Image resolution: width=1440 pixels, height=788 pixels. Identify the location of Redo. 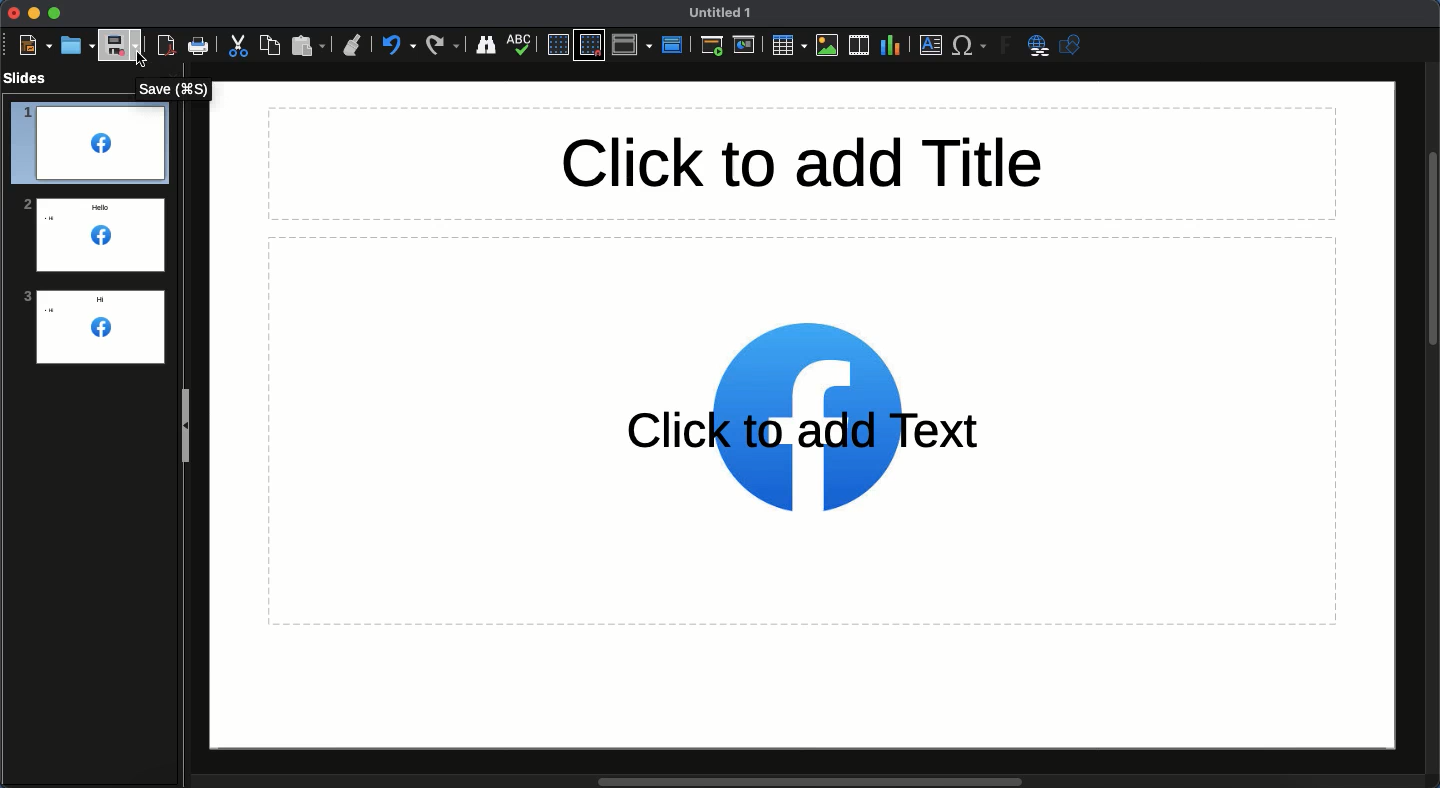
(444, 45).